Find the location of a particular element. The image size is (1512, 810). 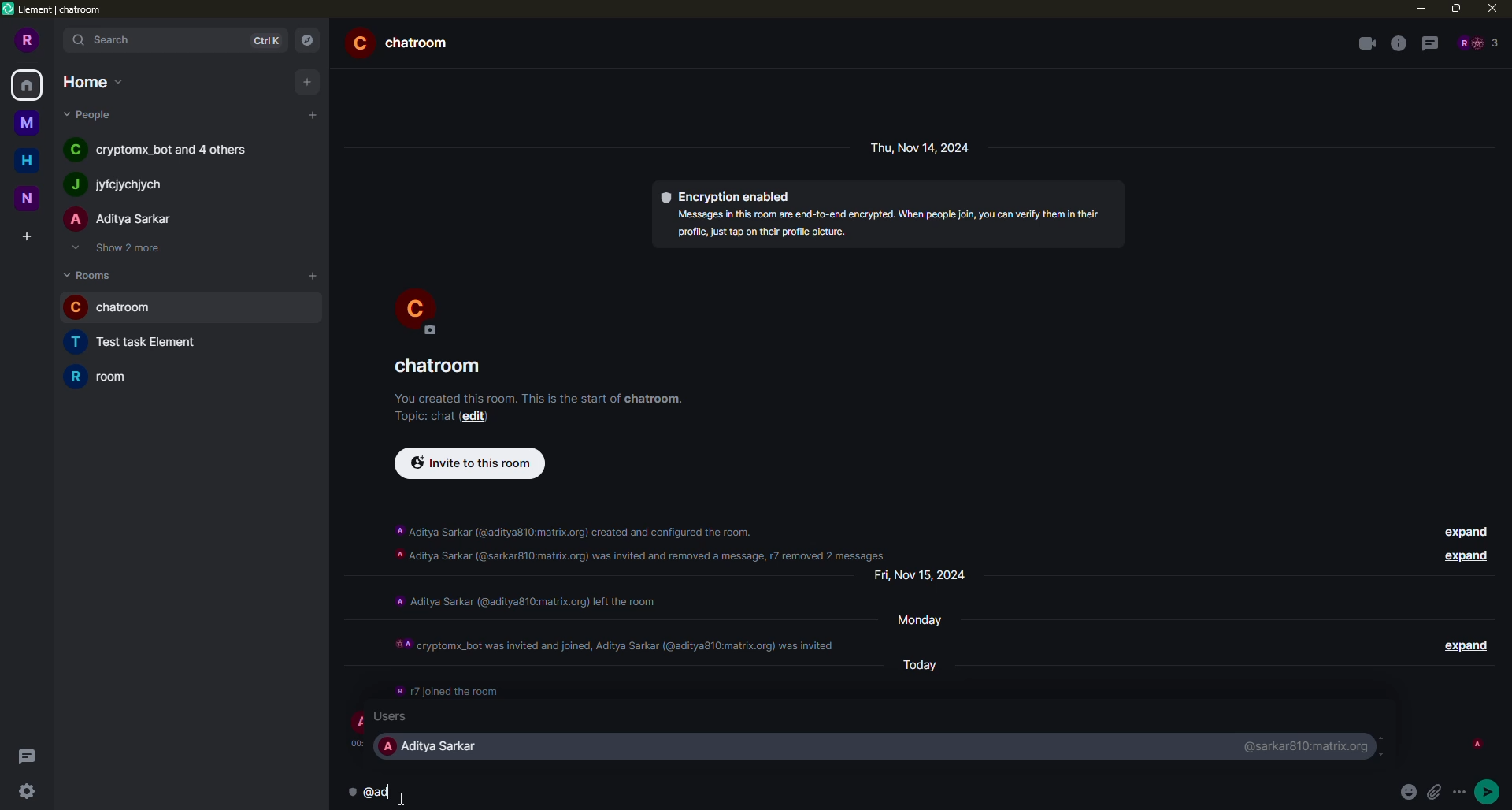

close is located at coordinates (1492, 8).